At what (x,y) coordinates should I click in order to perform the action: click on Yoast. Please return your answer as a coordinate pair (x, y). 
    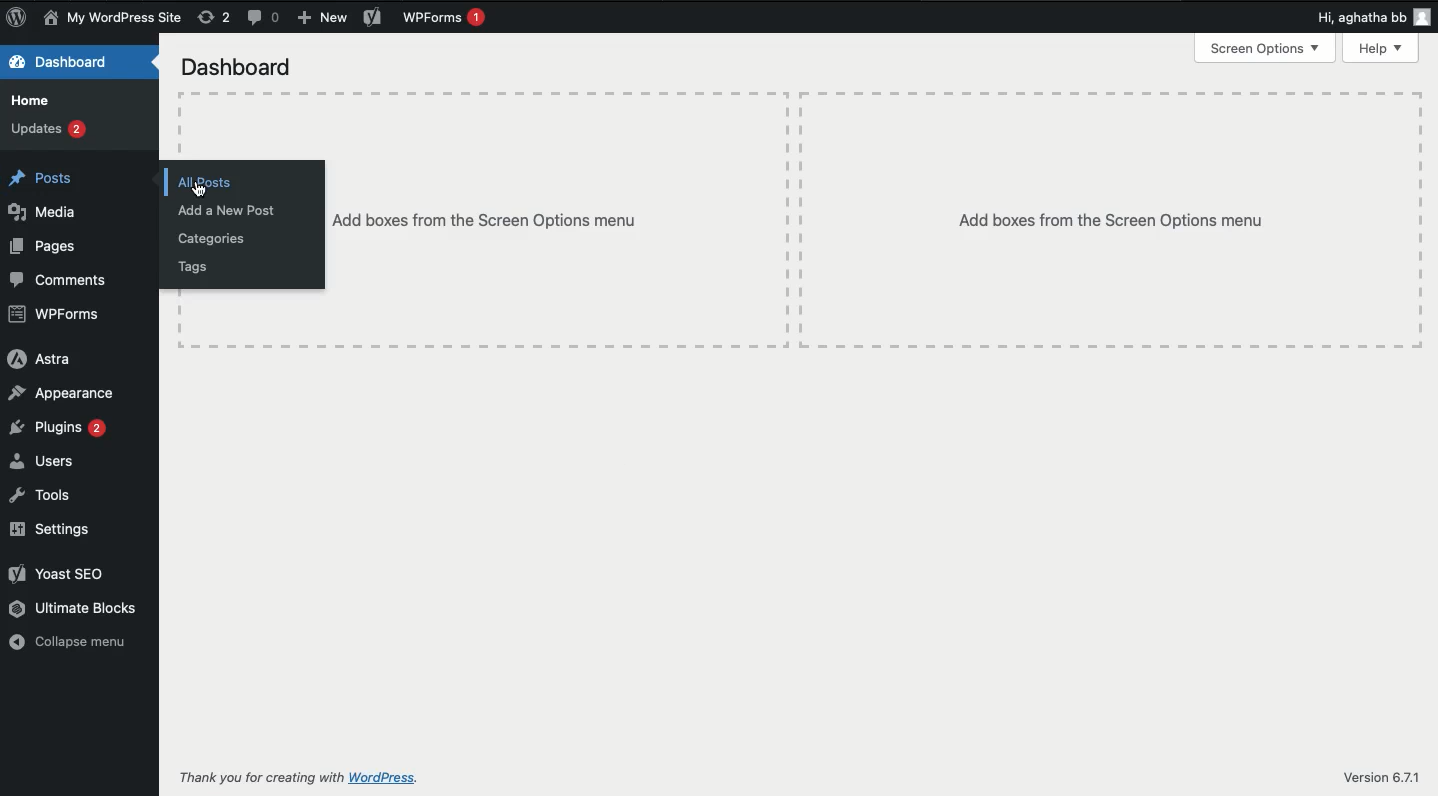
    Looking at the image, I should click on (373, 17).